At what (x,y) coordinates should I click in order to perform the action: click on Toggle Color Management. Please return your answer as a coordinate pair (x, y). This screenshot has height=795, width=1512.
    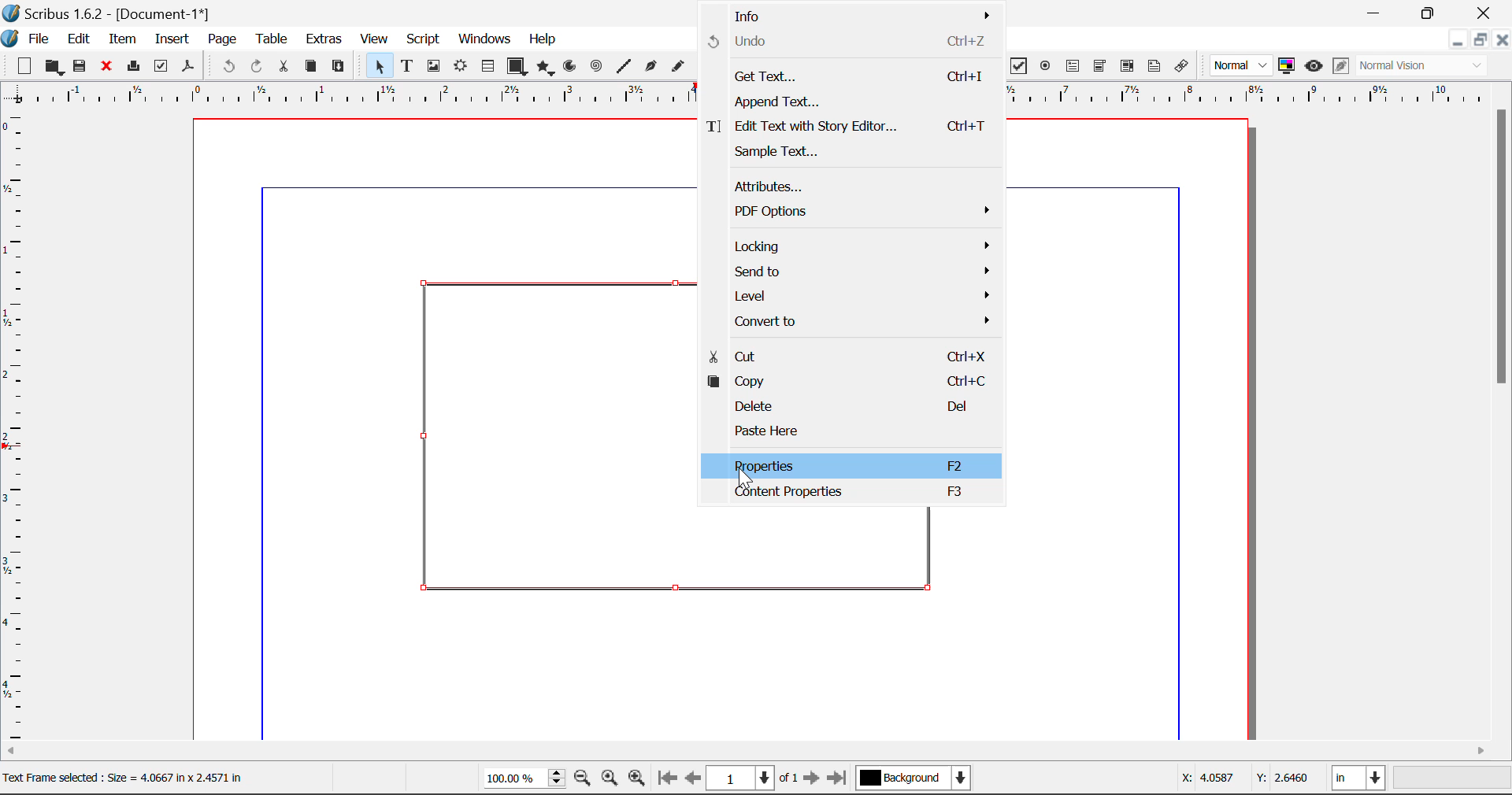
    Looking at the image, I should click on (1288, 67).